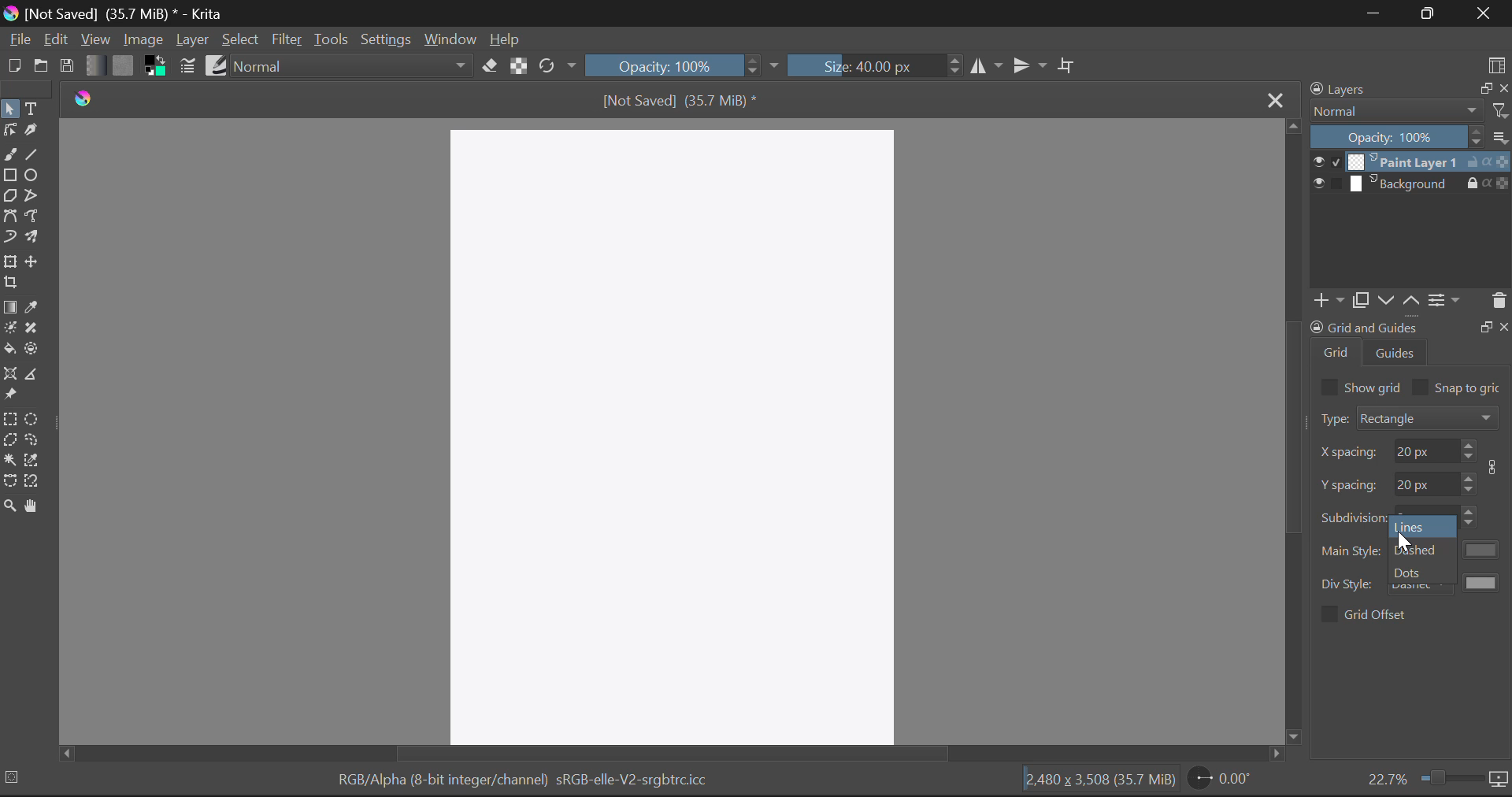 Image resolution: width=1512 pixels, height=797 pixels. Describe the element at coordinates (558, 66) in the screenshot. I see `Rotate` at that location.